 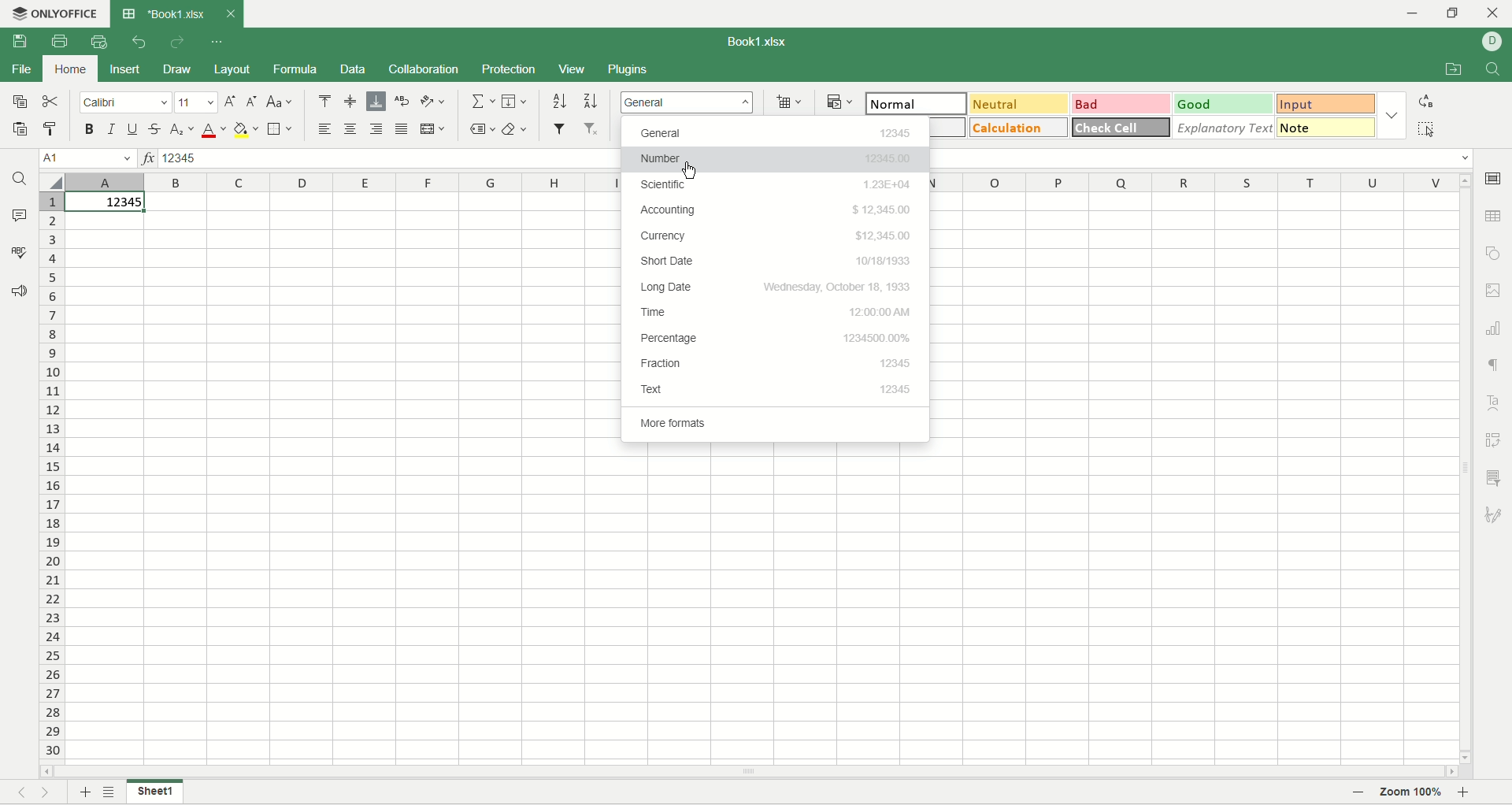 I want to click on table settings, so click(x=1496, y=216).